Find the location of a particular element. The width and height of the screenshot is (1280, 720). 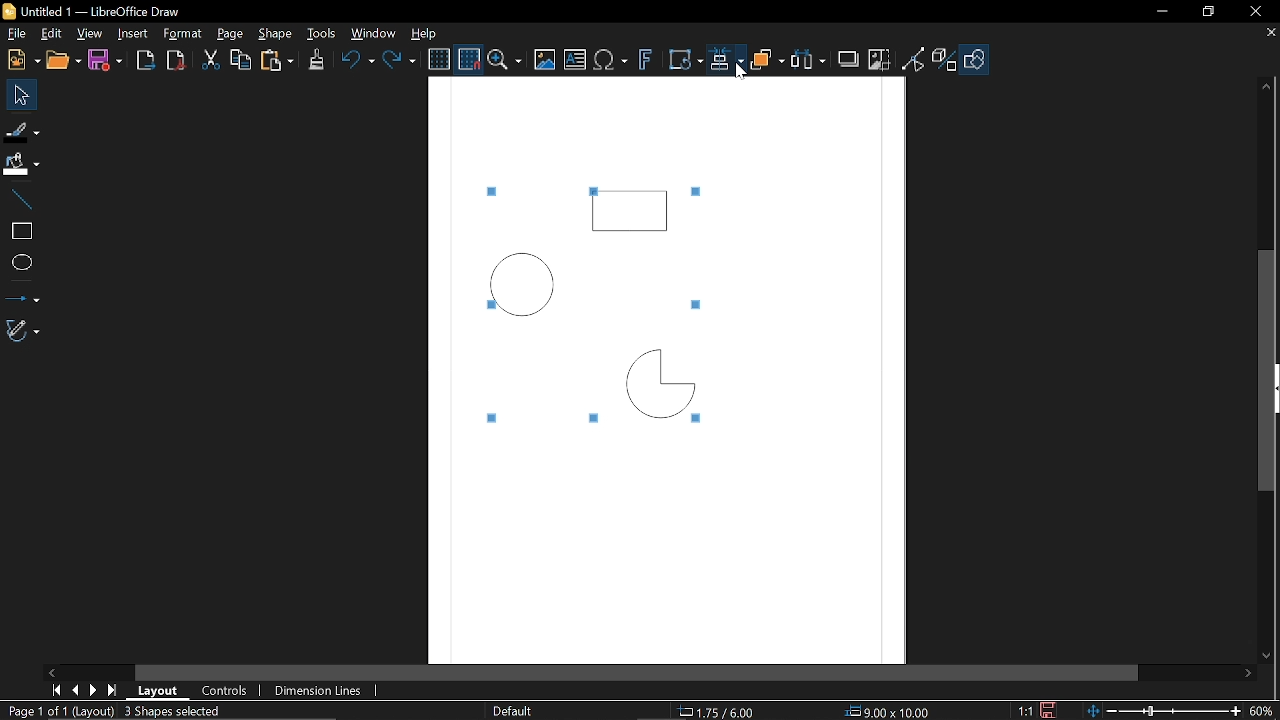

cut is located at coordinates (210, 59).